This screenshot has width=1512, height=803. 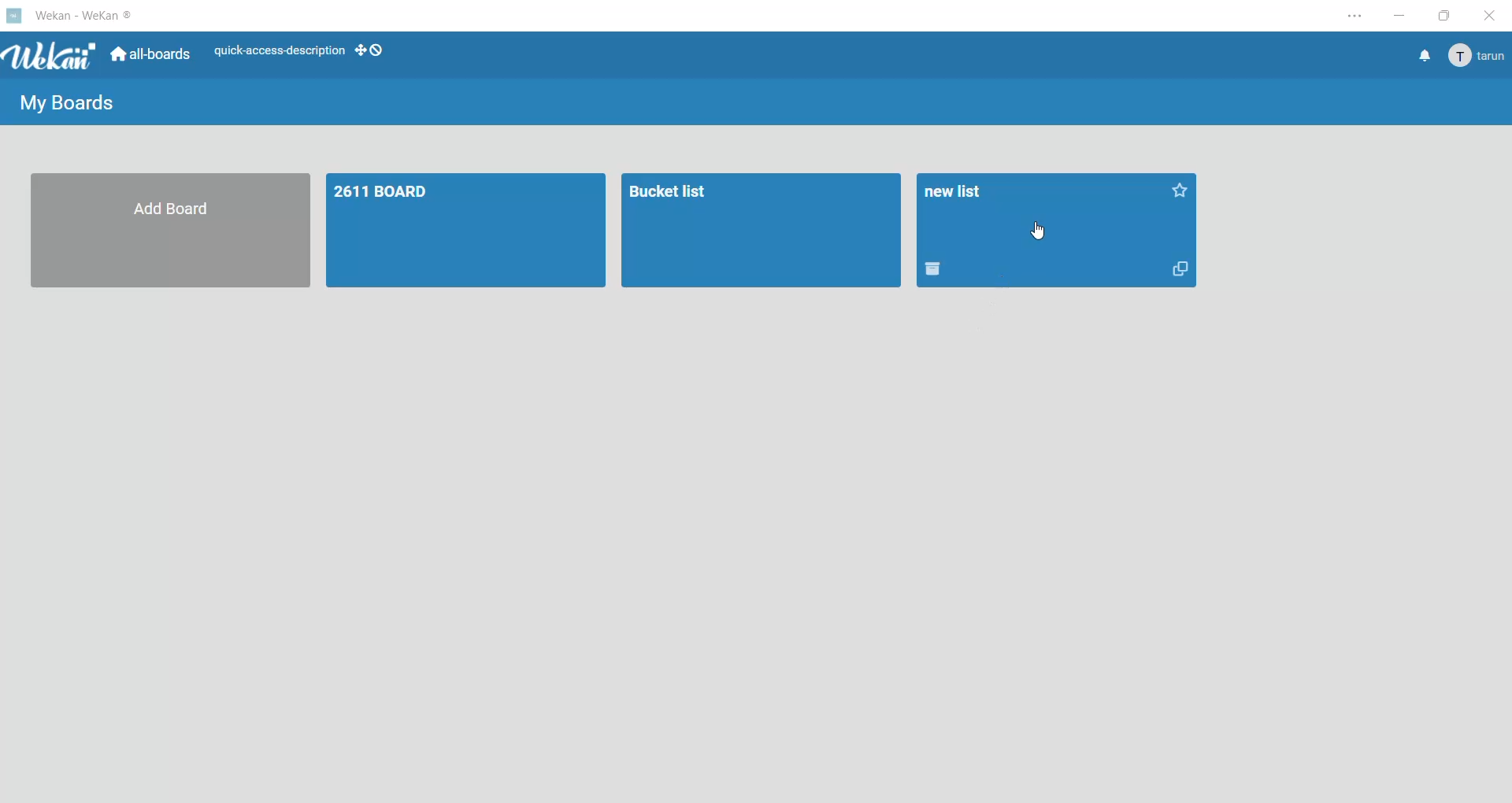 I want to click on my boards, so click(x=69, y=105).